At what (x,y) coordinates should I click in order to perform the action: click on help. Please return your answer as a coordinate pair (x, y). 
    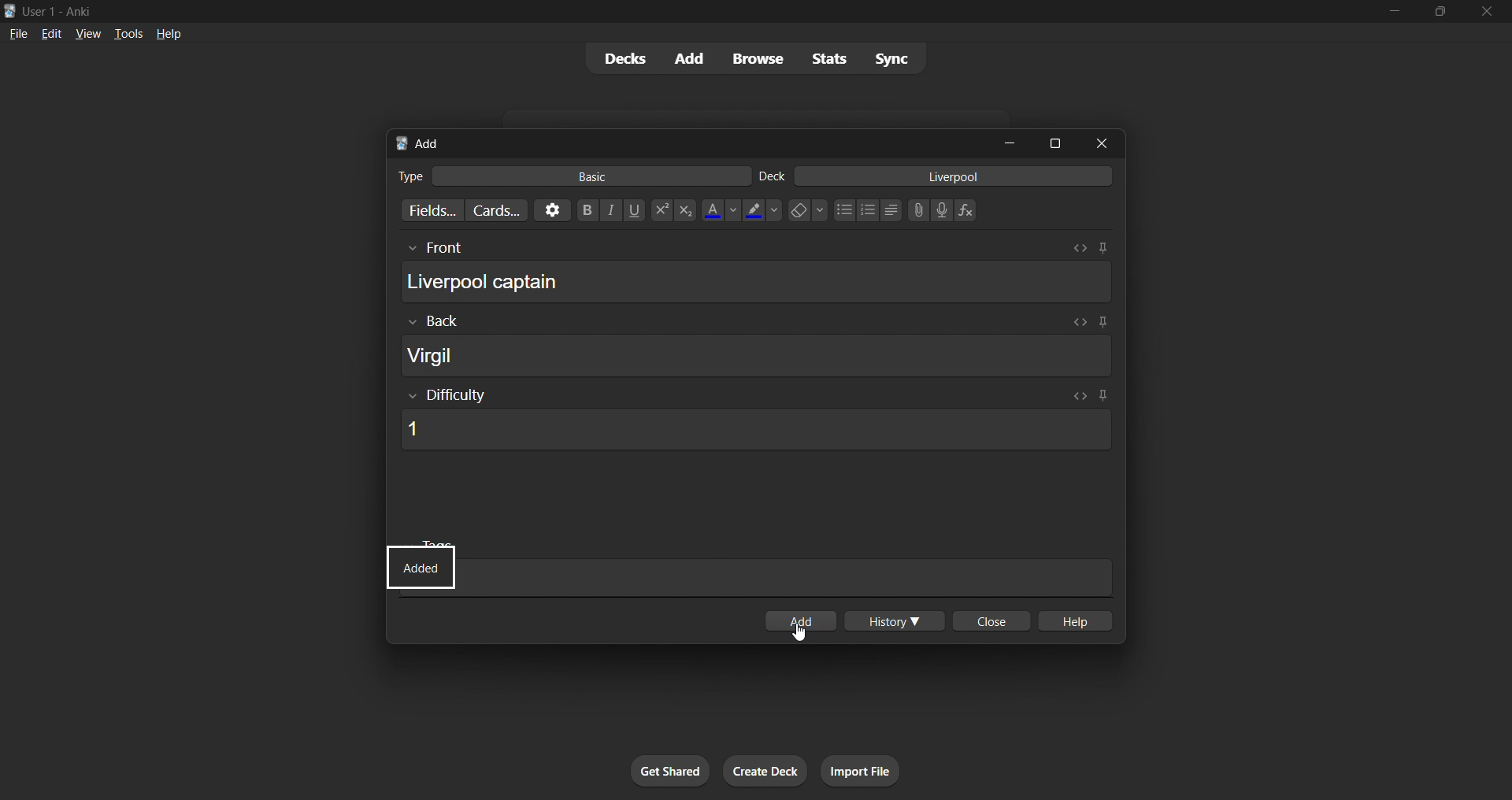
    Looking at the image, I should click on (1073, 620).